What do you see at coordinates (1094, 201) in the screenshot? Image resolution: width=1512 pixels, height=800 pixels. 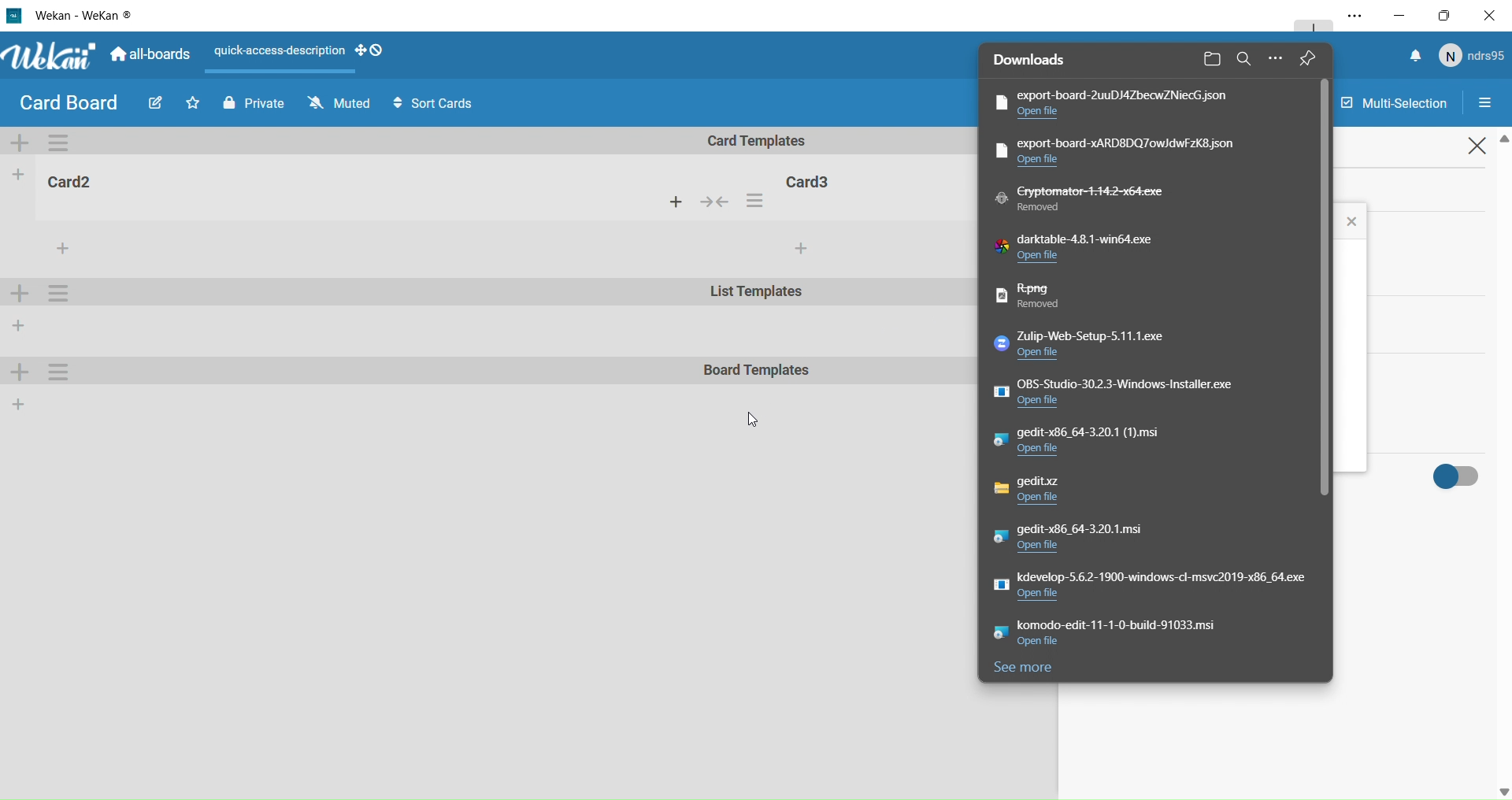 I see `downloaded file` at bounding box center [1094, 201].